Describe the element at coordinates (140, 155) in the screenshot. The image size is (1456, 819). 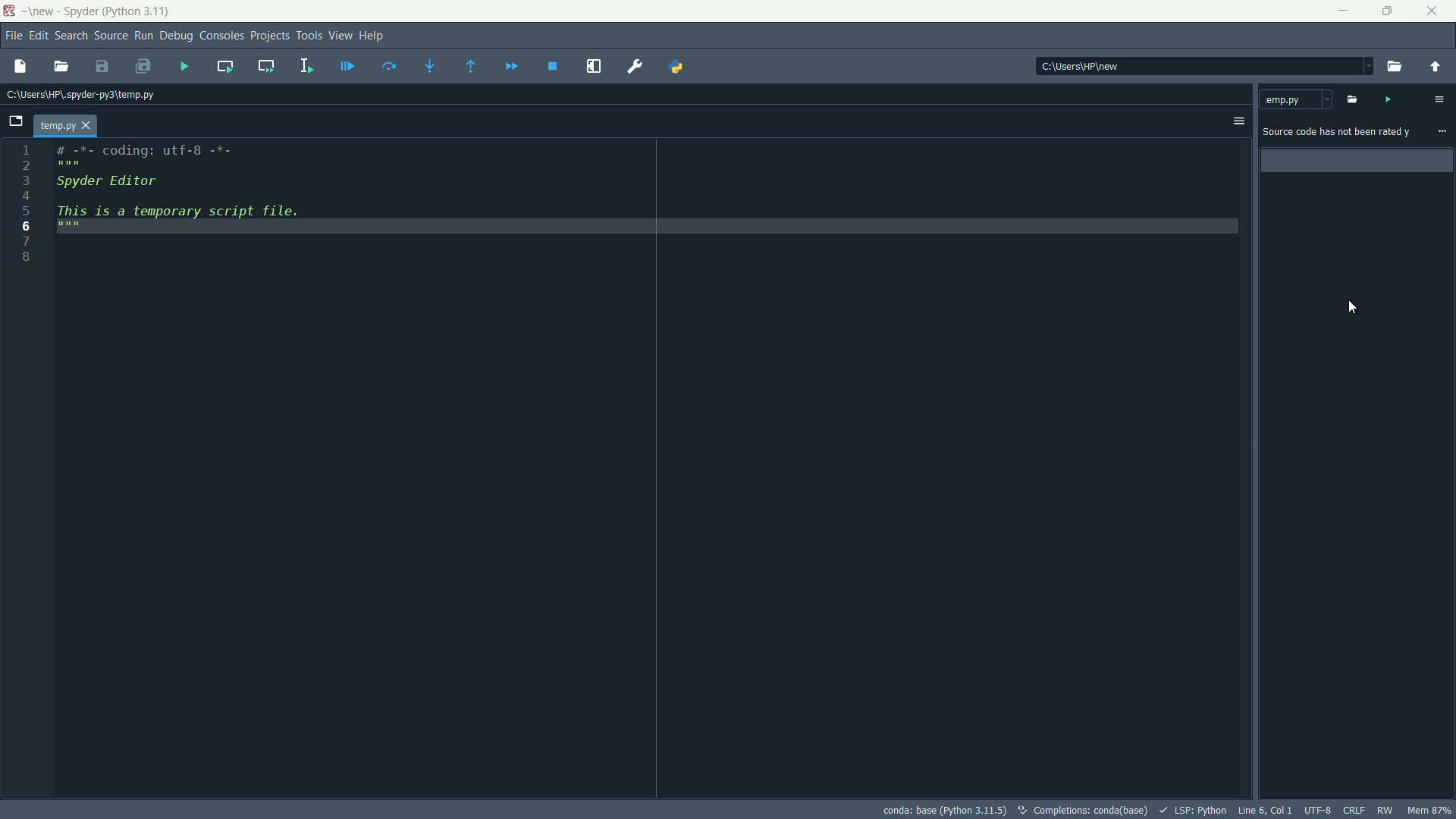
I see `# =-%=- Coding: uti-o -7-` at that location.